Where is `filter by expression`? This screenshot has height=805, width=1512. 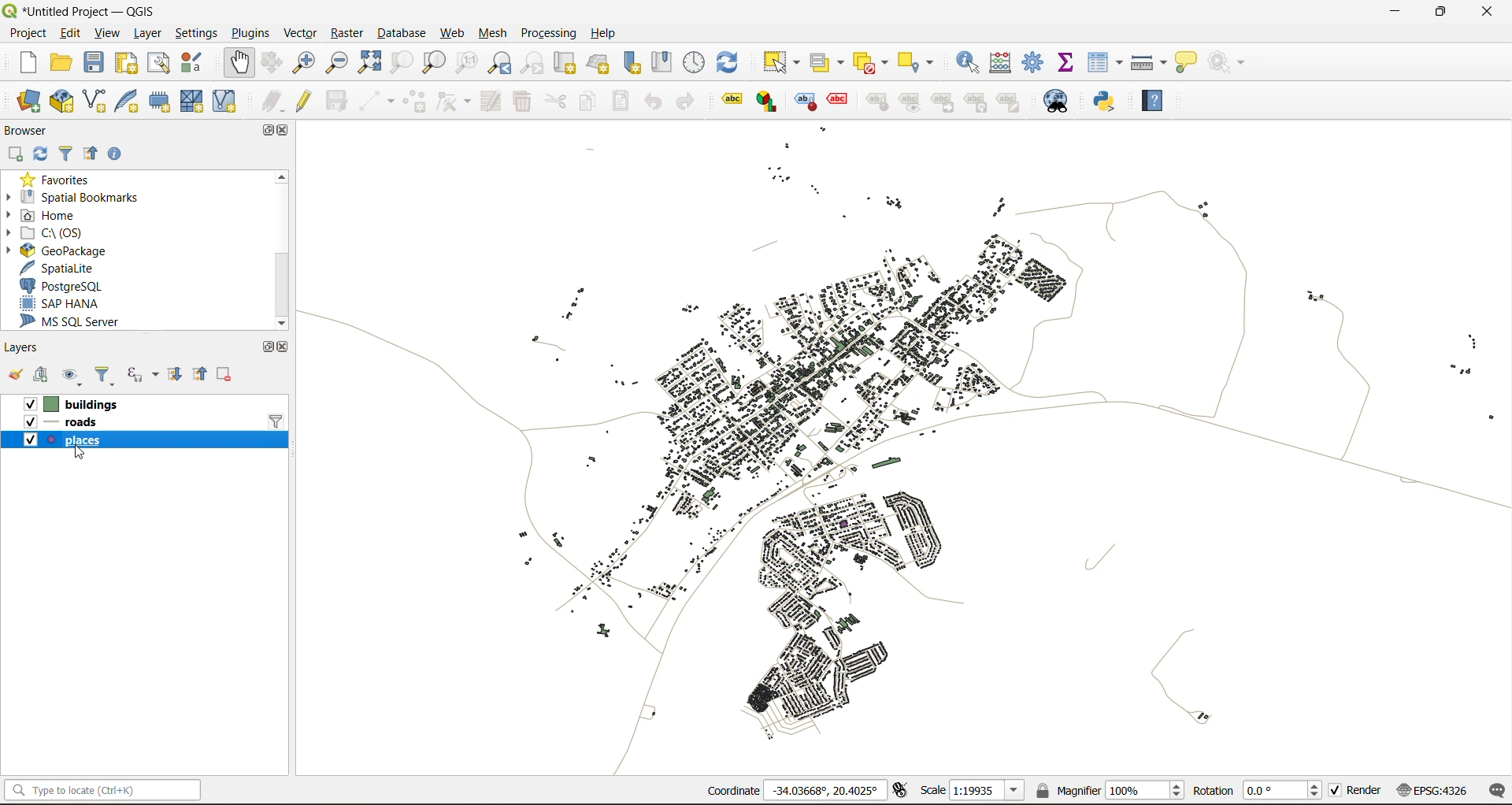
filter by expression is located at coordinates (141, 376).